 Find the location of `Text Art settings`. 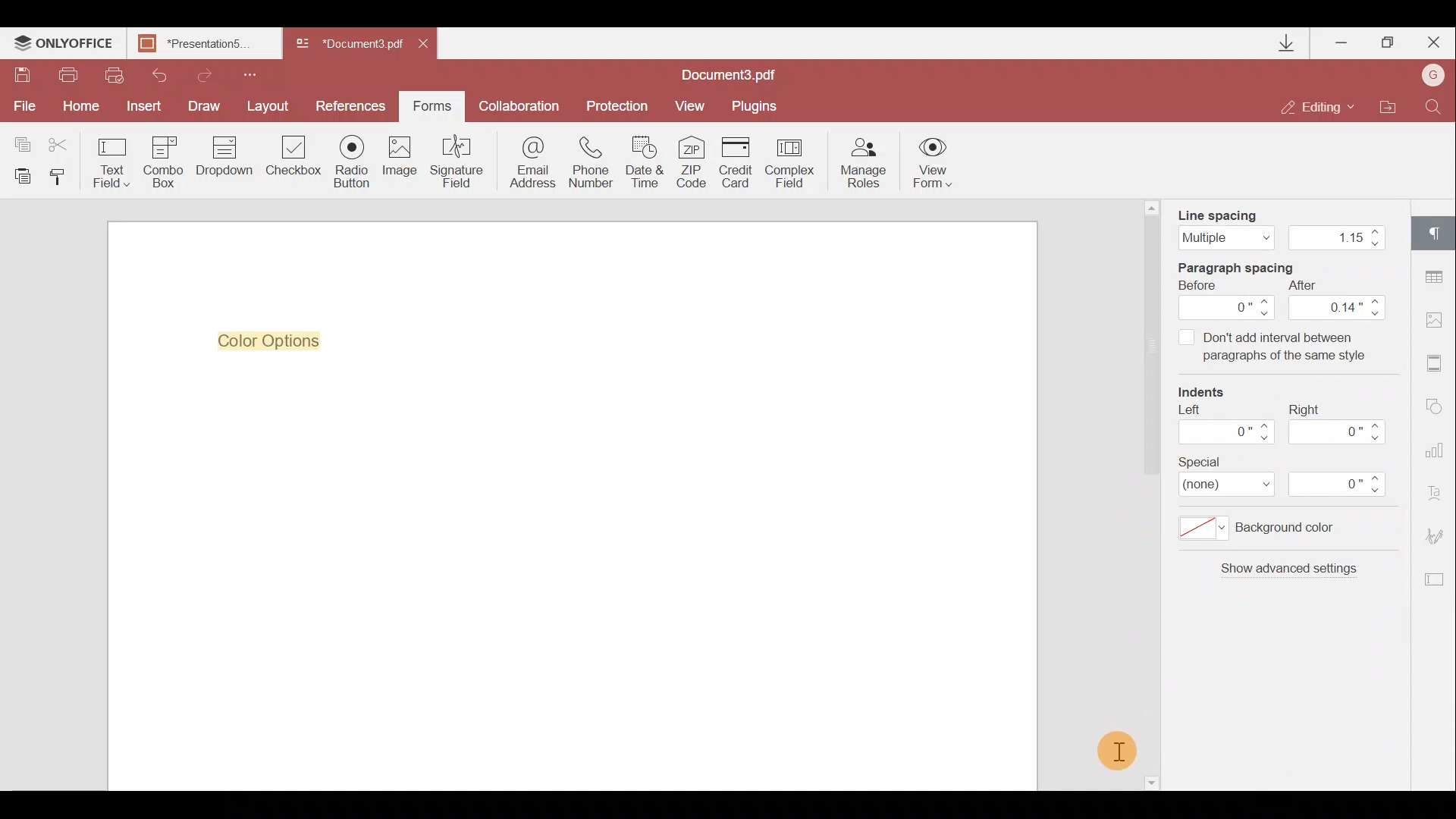

Text Art settings is located at coordinates (1439, 491).